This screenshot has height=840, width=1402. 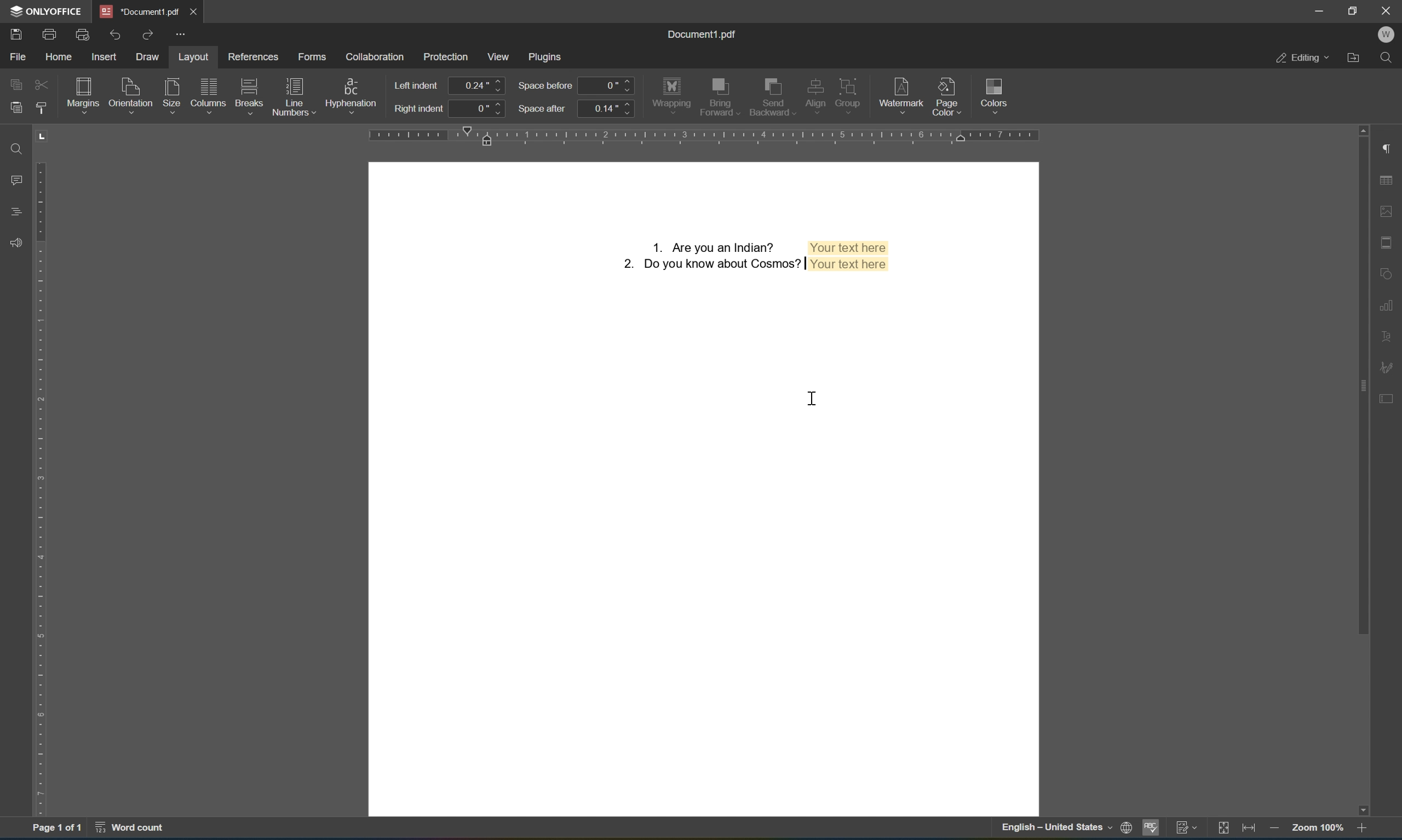 What do you see at coordinates (1388, 33) in the screenshot?
I see `W` at bounding box center [1388, 33].